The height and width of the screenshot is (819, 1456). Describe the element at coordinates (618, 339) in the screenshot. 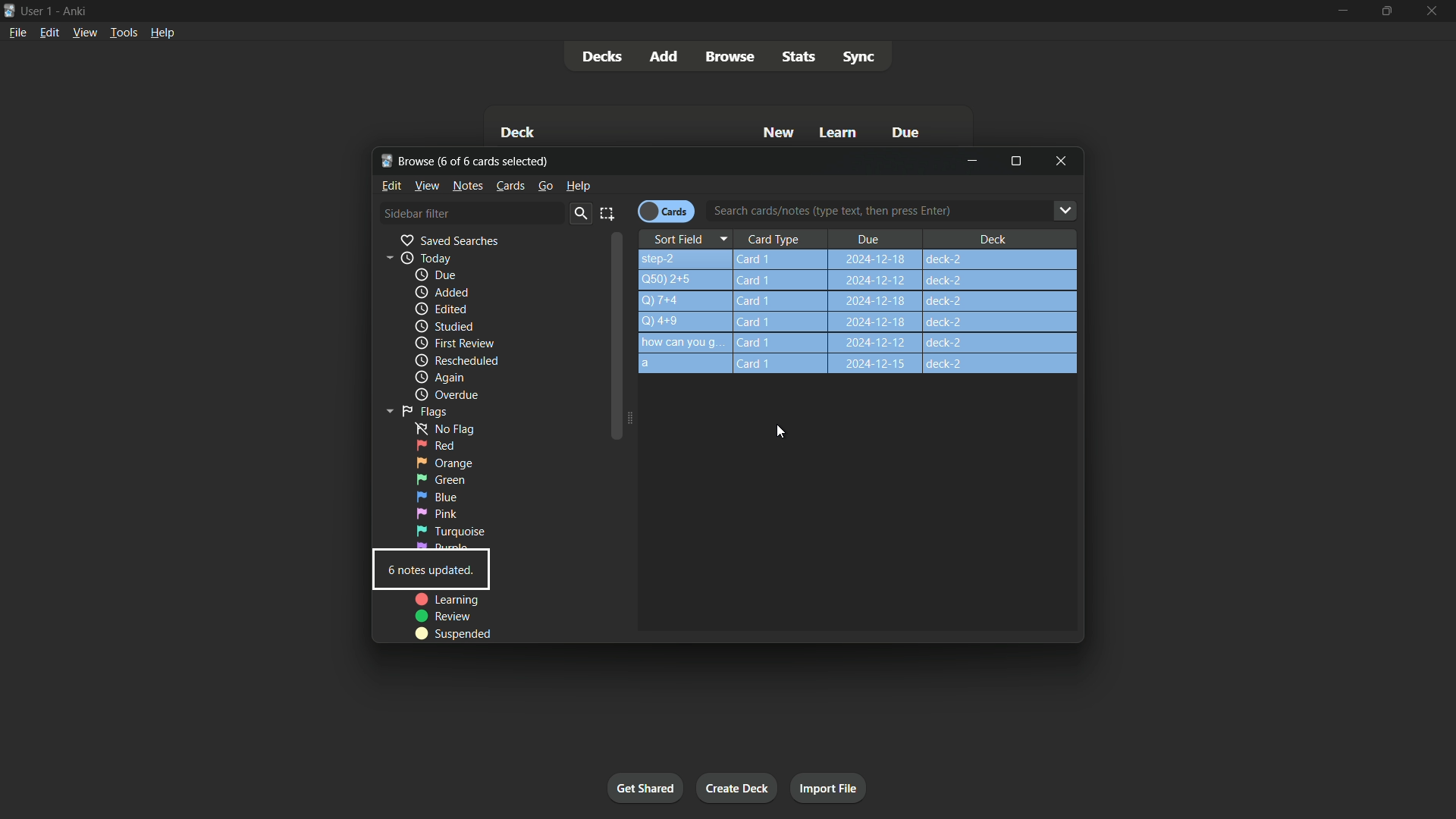

I see `Scroll bar` at that location.